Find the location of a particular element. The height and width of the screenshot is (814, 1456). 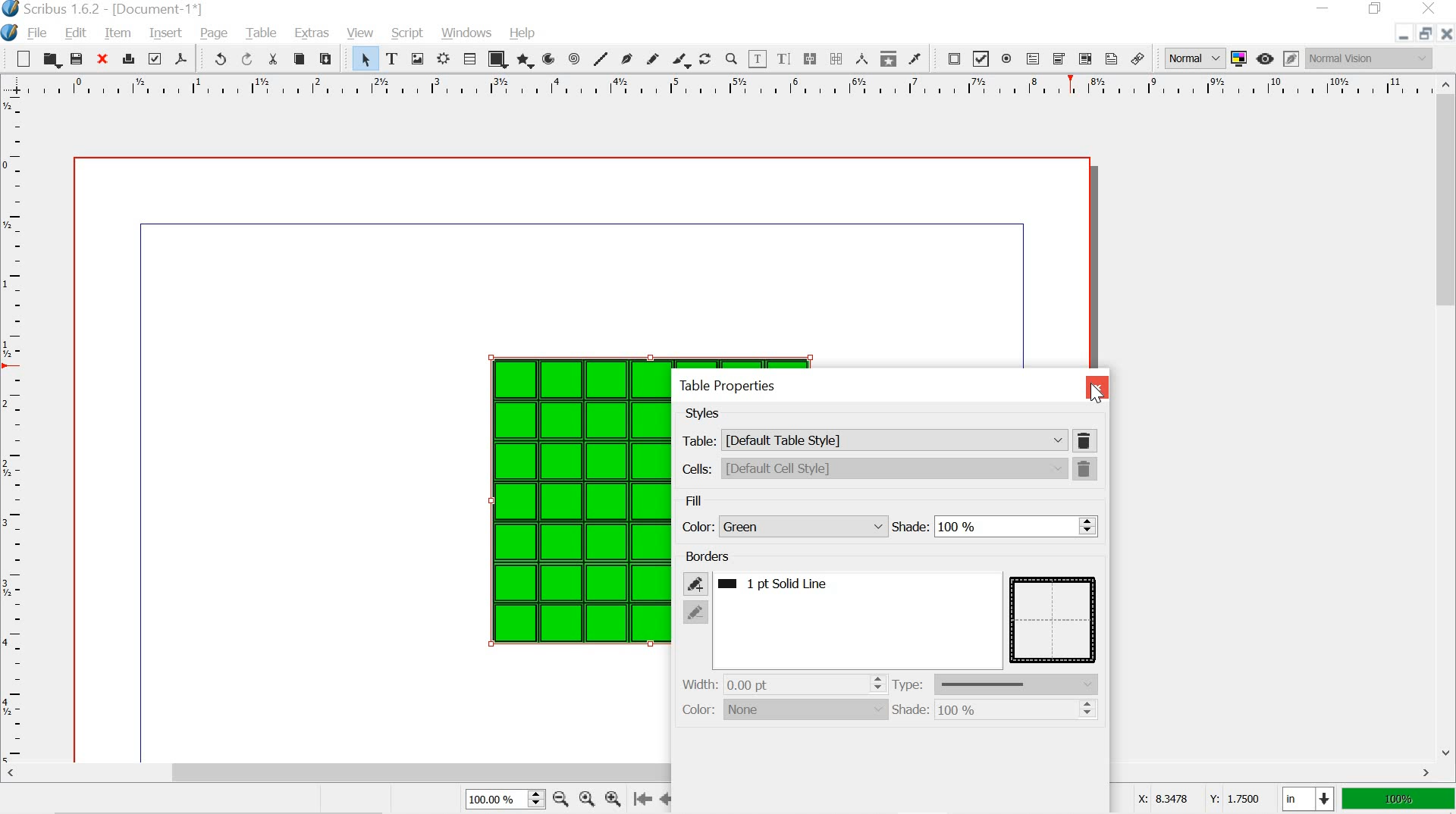

minimize is located at coordinates (1397, 36).